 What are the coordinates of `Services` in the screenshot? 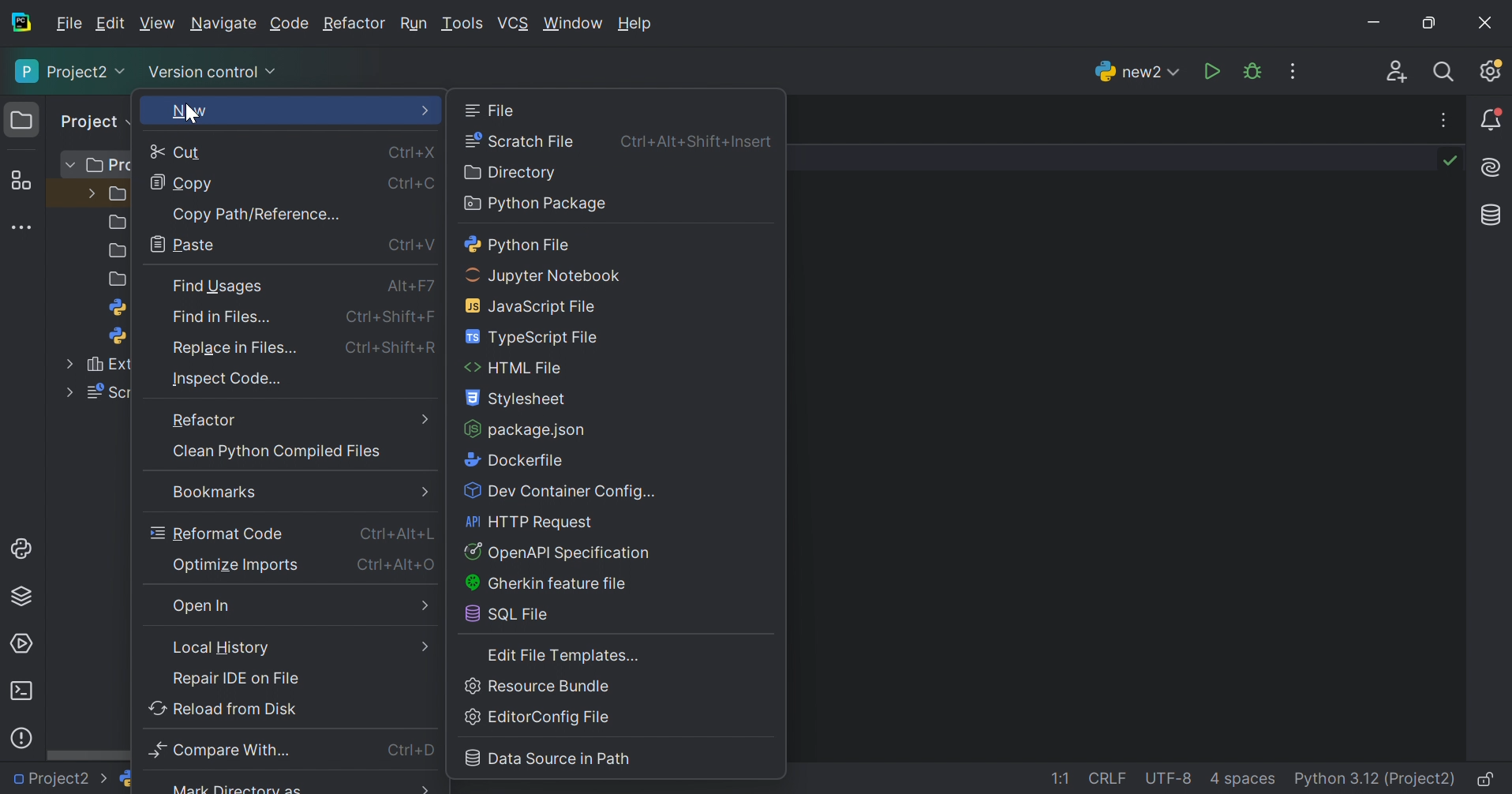 It's located at (23, 642).